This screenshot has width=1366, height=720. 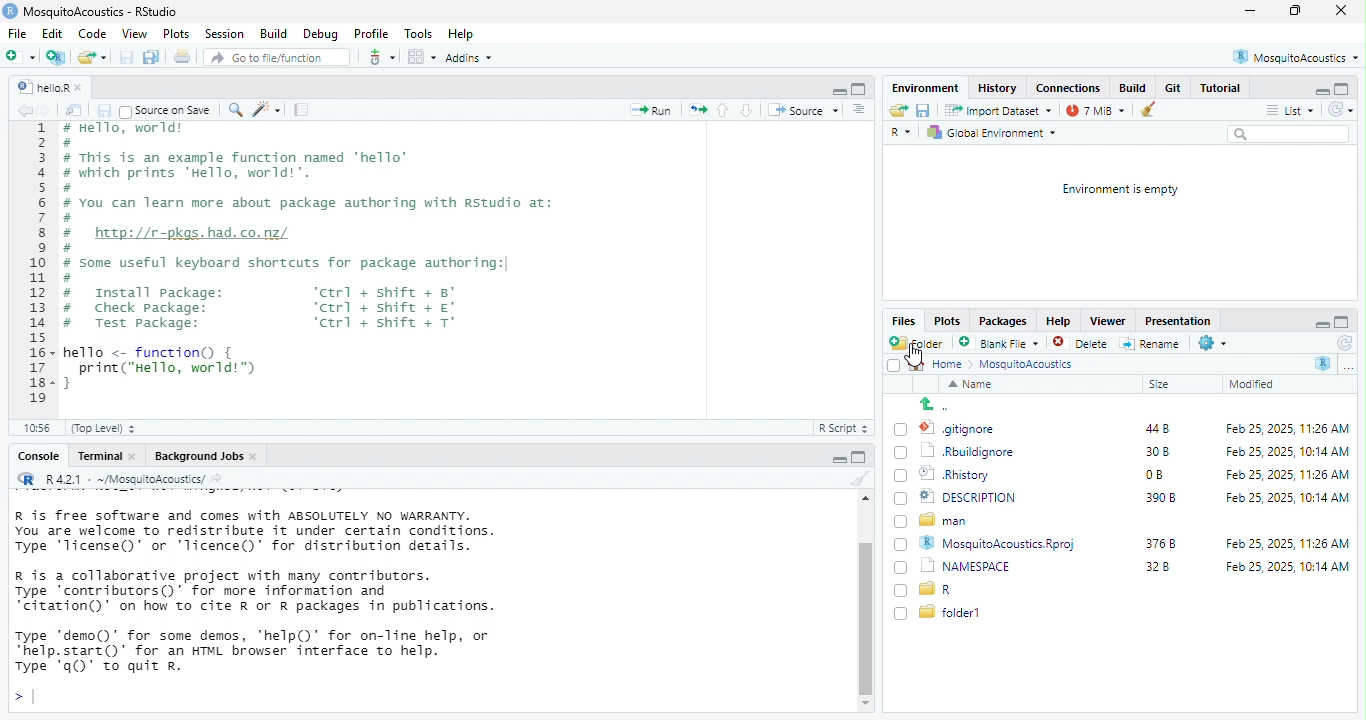 What do you see at coordinates (237, 111) in the screenshot?
I see `’ find /replace` at bounding box center [237, 111].